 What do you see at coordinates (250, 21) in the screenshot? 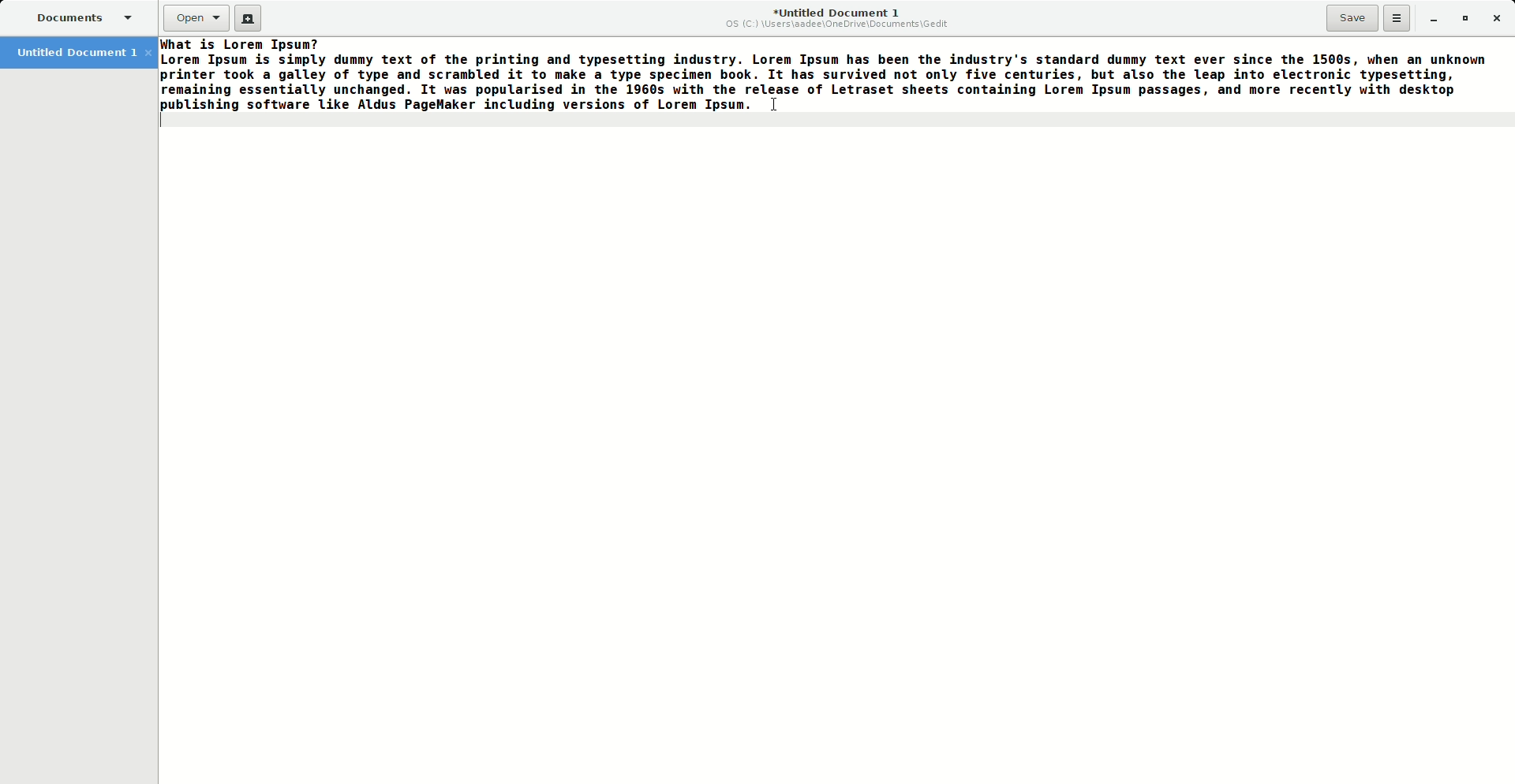
I see `New` at bounding box center [250, 21].